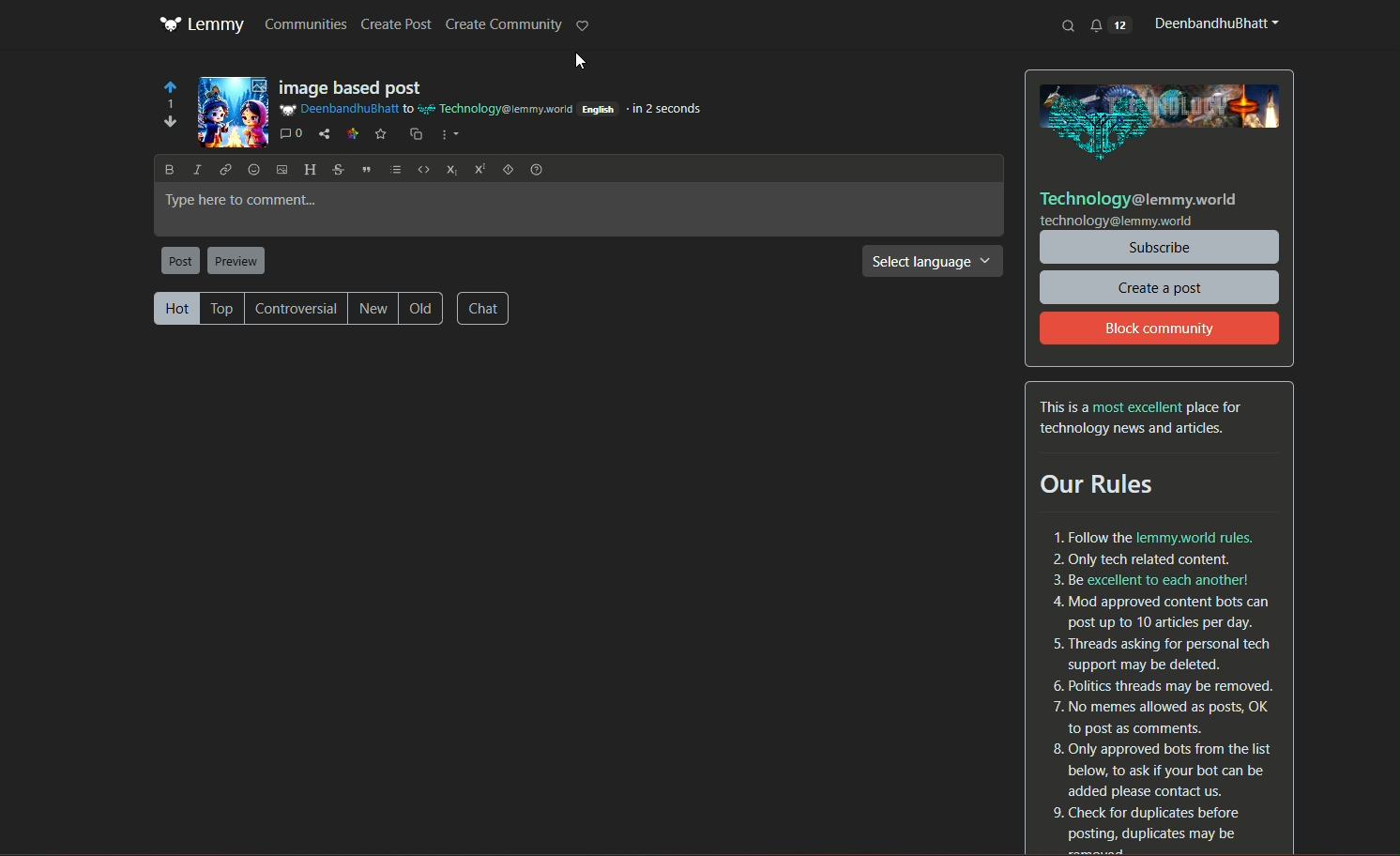 The height and width of the screenshot is (856, 1400). Describe the element at coordinates (1109, 485) in the screenshot. I see `Our Rules` at that location.